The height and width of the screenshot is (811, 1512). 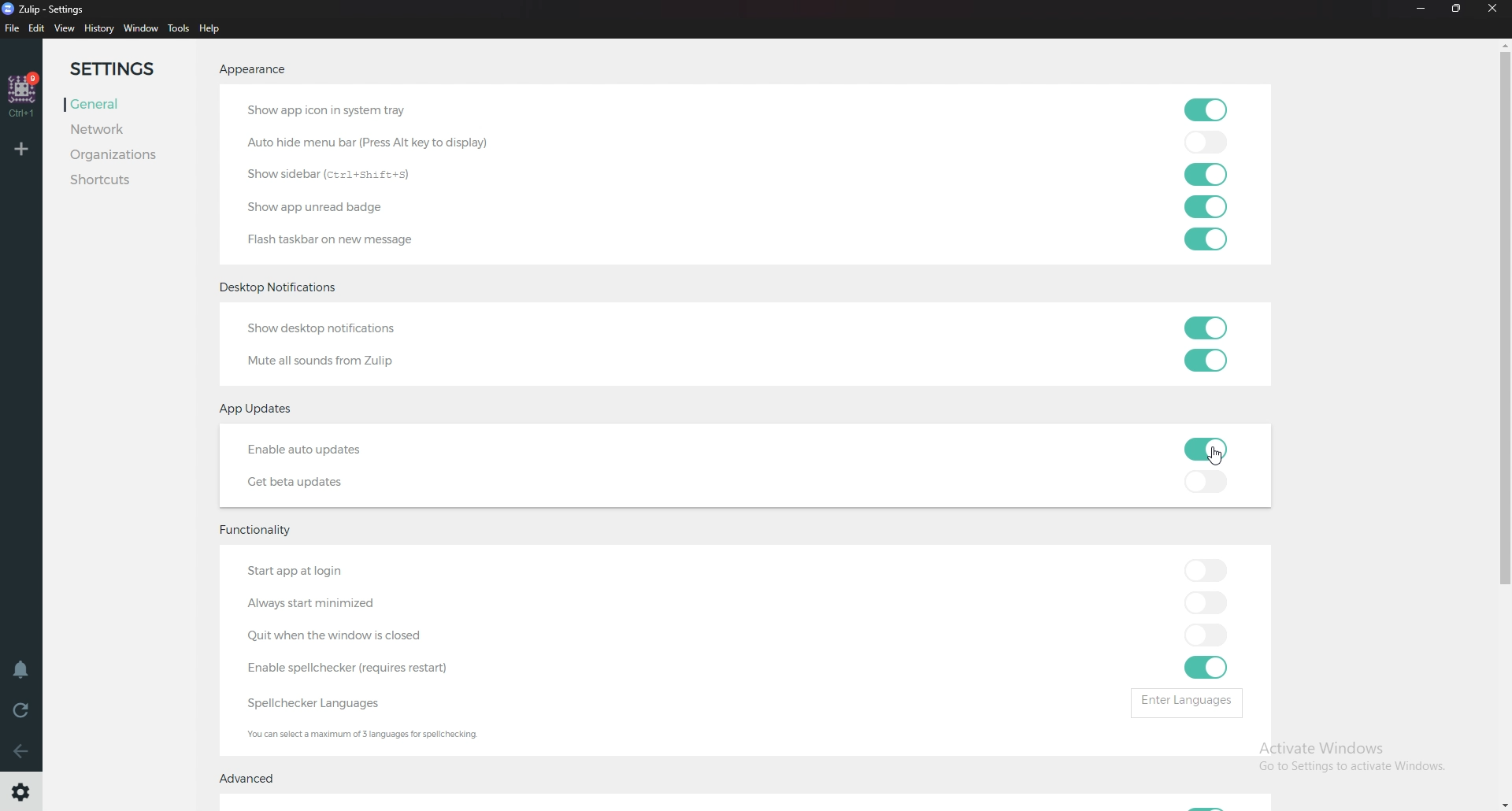 What do you see at coordinates (211, 29) in the screenshot?
I see `Help` at bounding box center [211, 29].